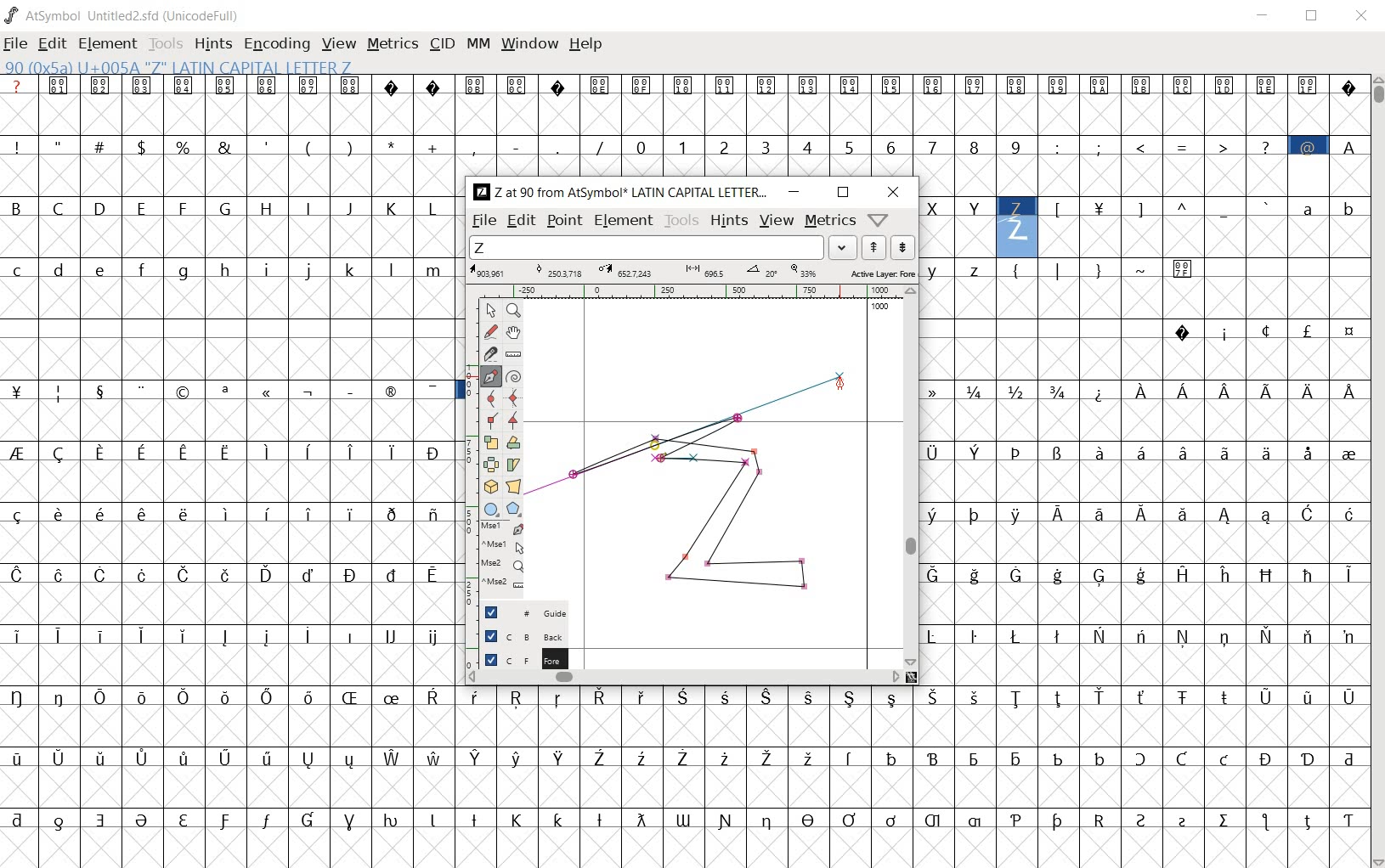  What do you see at coordinates (490, 311) in the screenshot?
I see `POINTER` at bounding box center [490, 311].